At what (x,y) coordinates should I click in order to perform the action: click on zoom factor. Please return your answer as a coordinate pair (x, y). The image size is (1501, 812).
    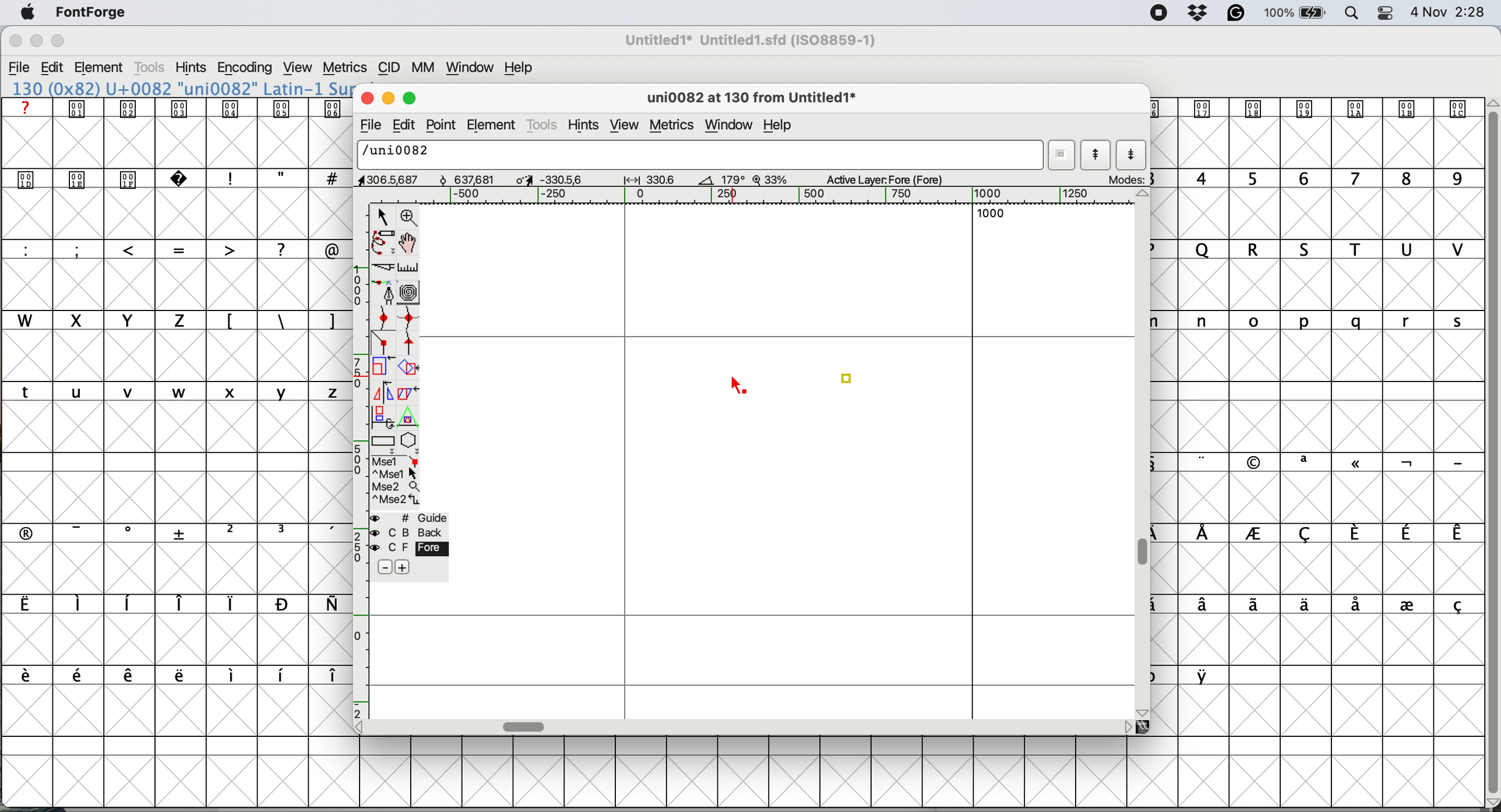
    Looking at the image, I should click on (767, 179).